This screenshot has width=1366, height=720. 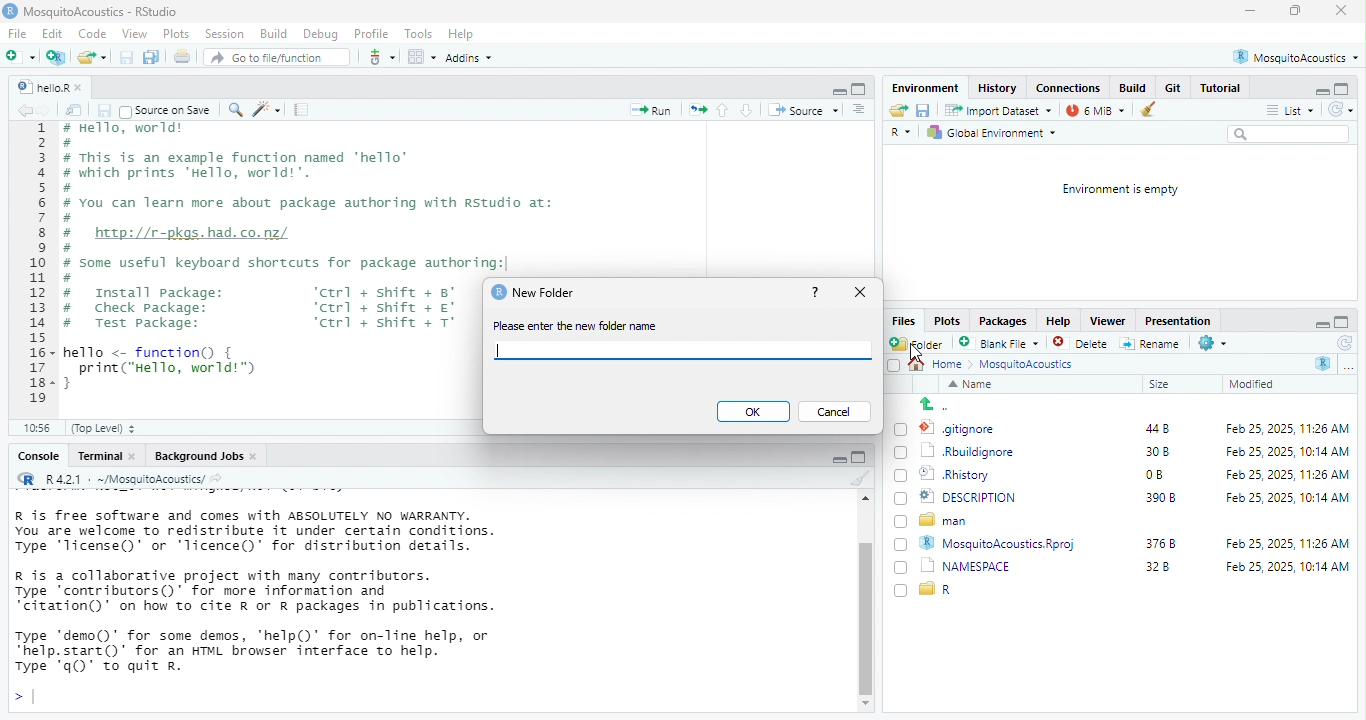 I want to click on minimize, so click(x=1250, y=12).